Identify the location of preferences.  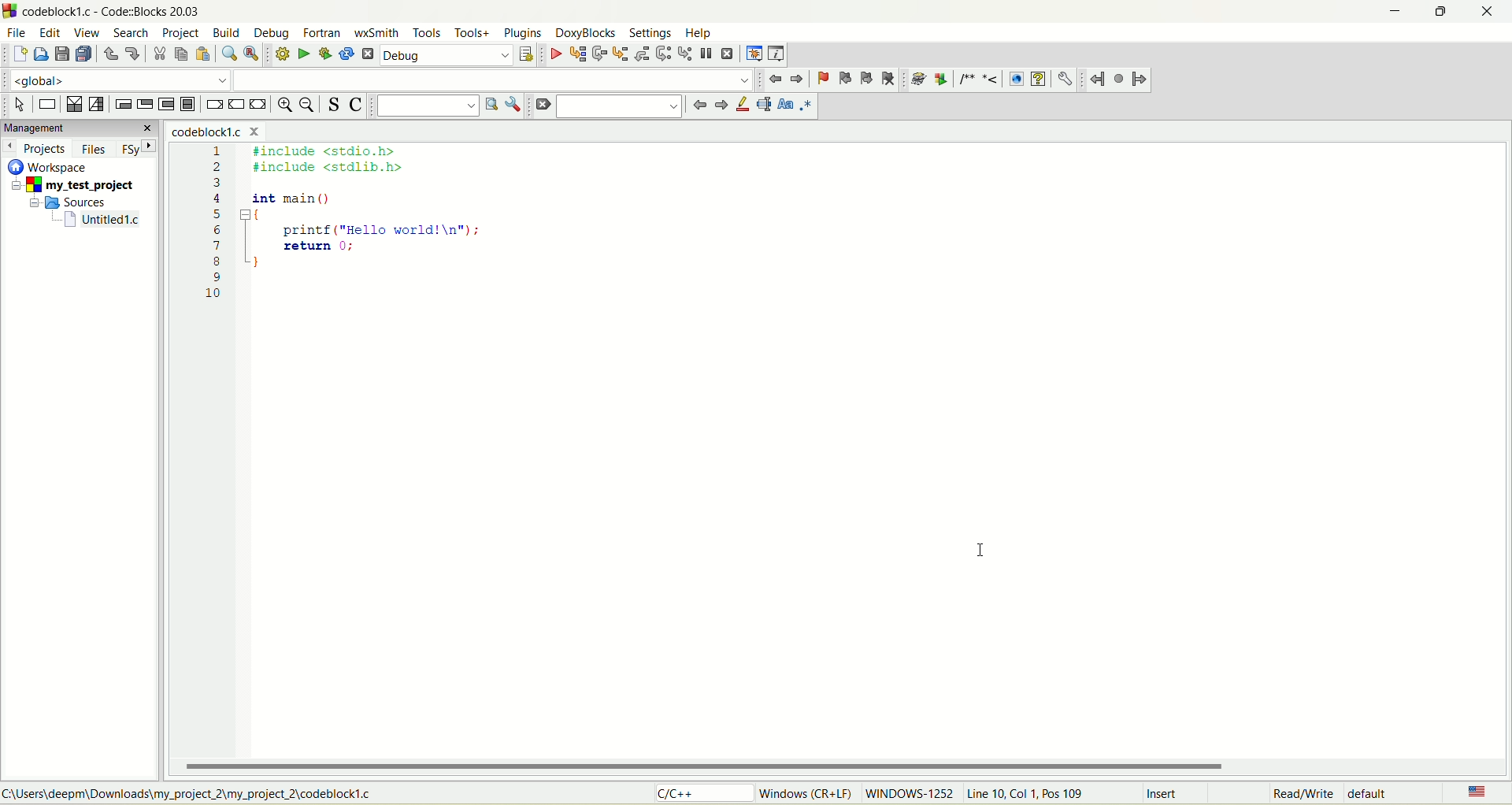
(1064, 79).